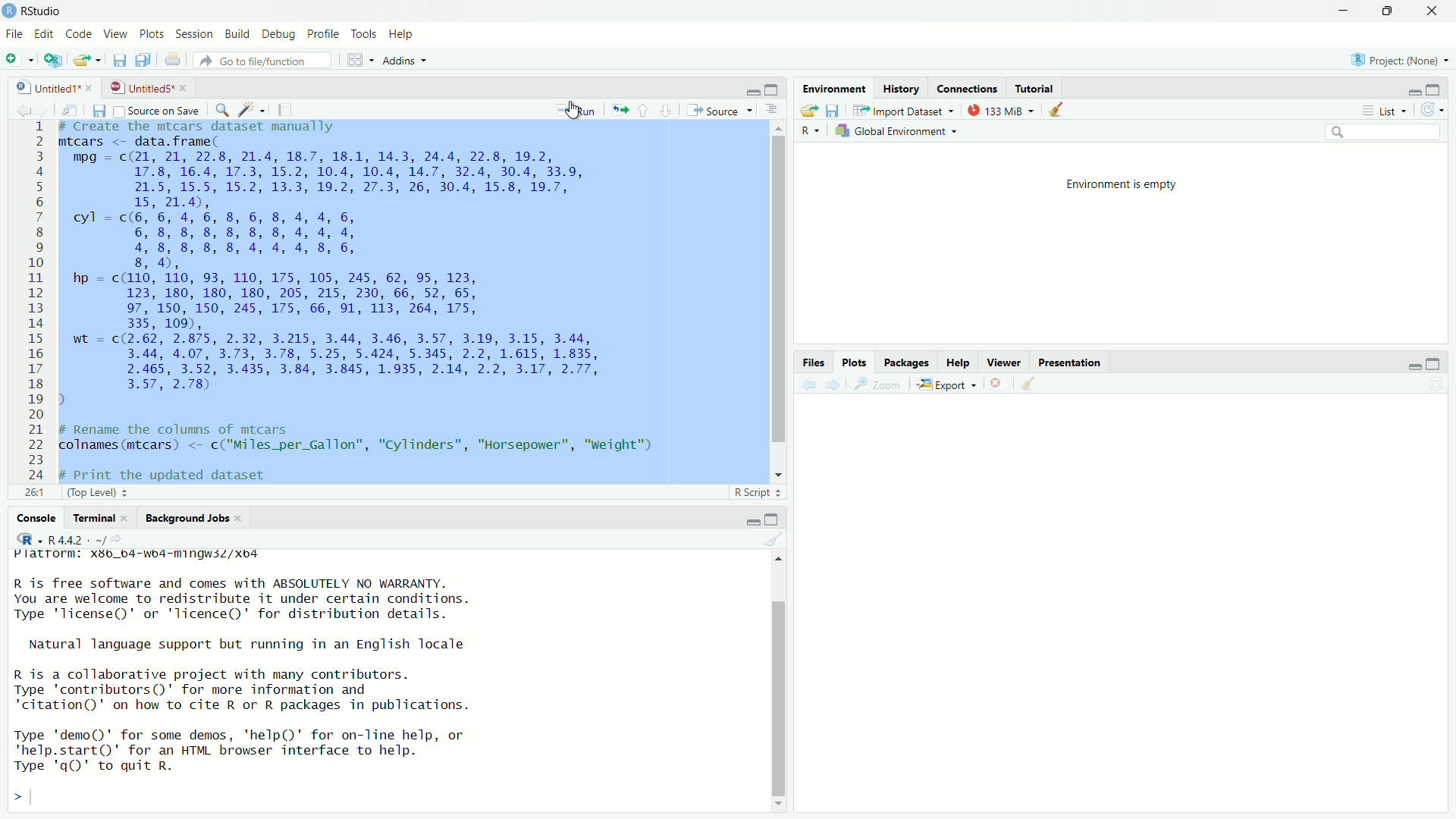  What do you see at coordinates (905, 362) in the screenshot?
I see `packages` at bounding box center [905, 362].